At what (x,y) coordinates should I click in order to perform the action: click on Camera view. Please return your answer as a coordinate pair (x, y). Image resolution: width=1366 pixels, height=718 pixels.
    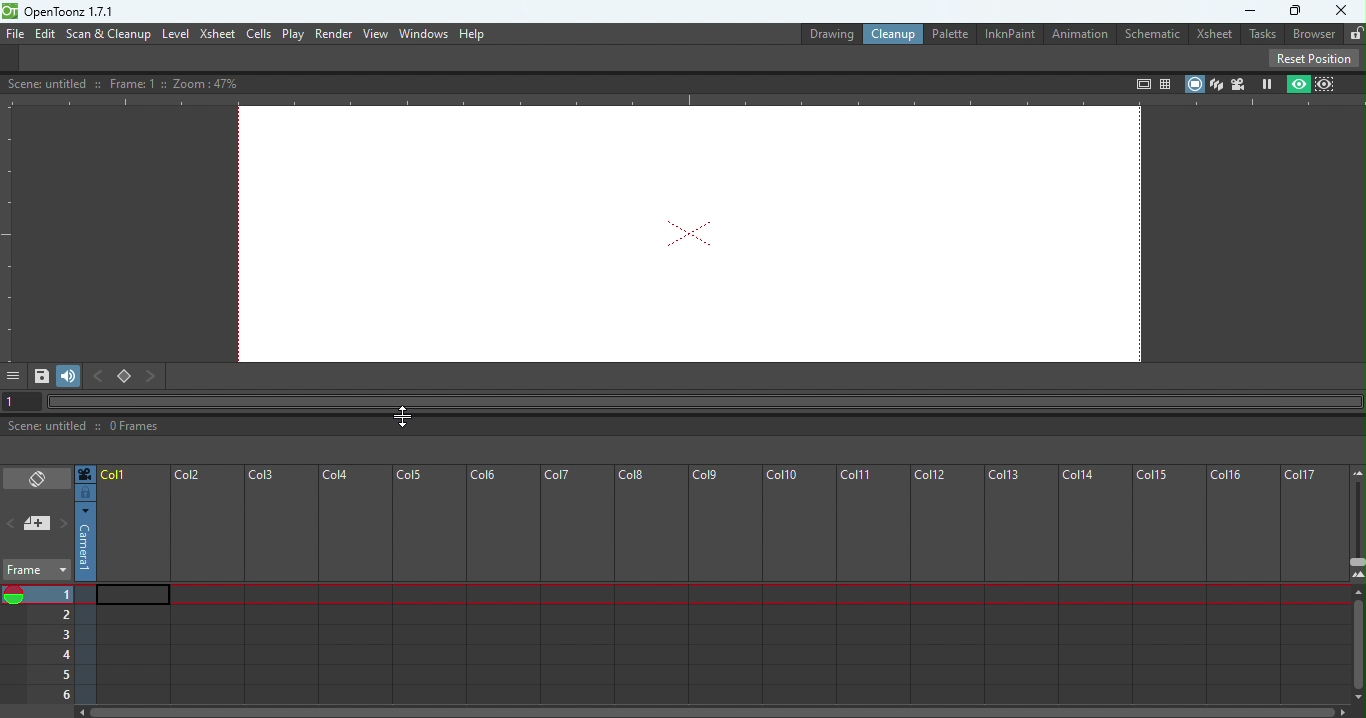
    Looking at the image, I should click on (1239, 84).